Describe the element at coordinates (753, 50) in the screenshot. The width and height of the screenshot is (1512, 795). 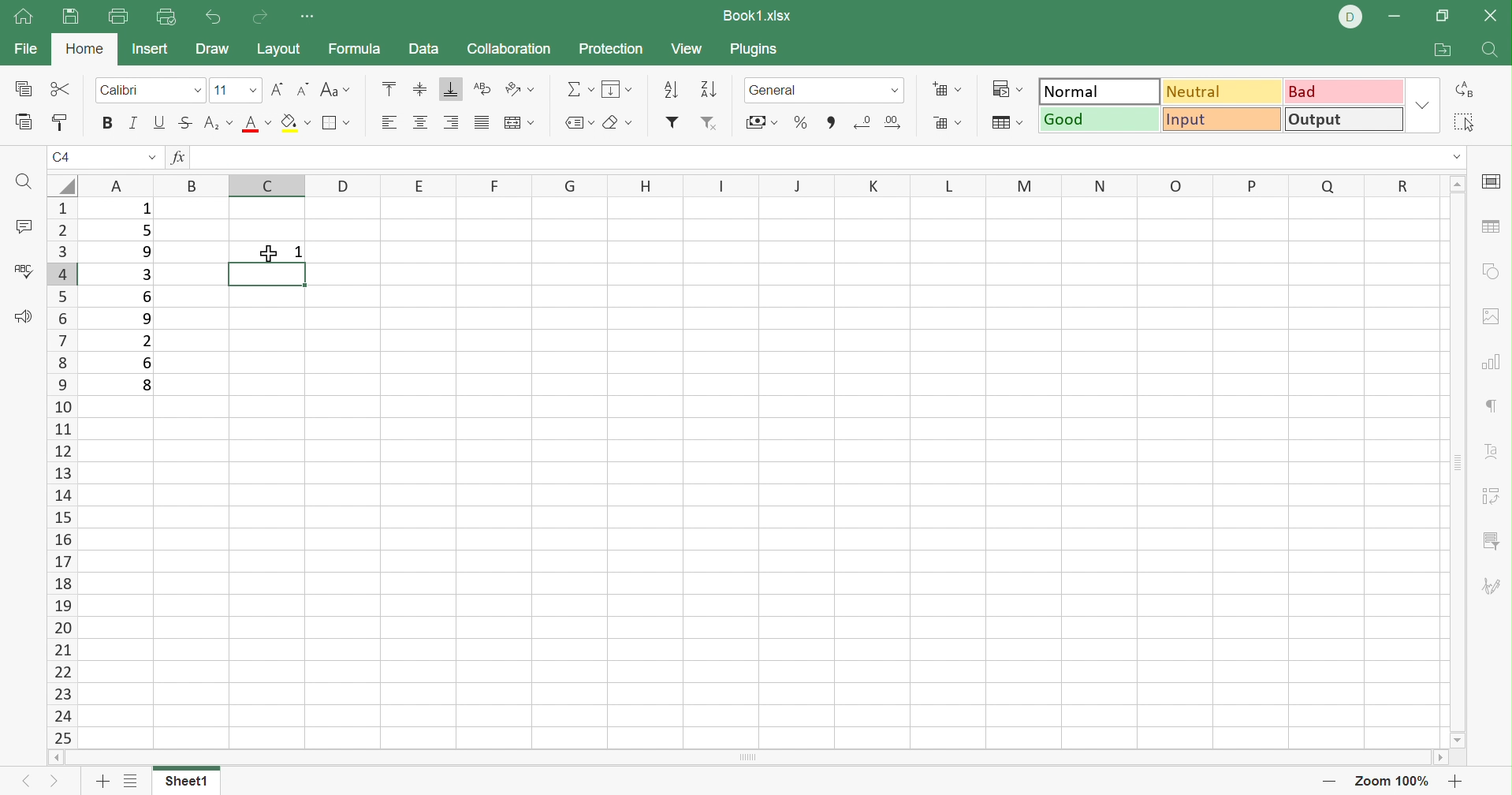
I see `Plugins` at that location.